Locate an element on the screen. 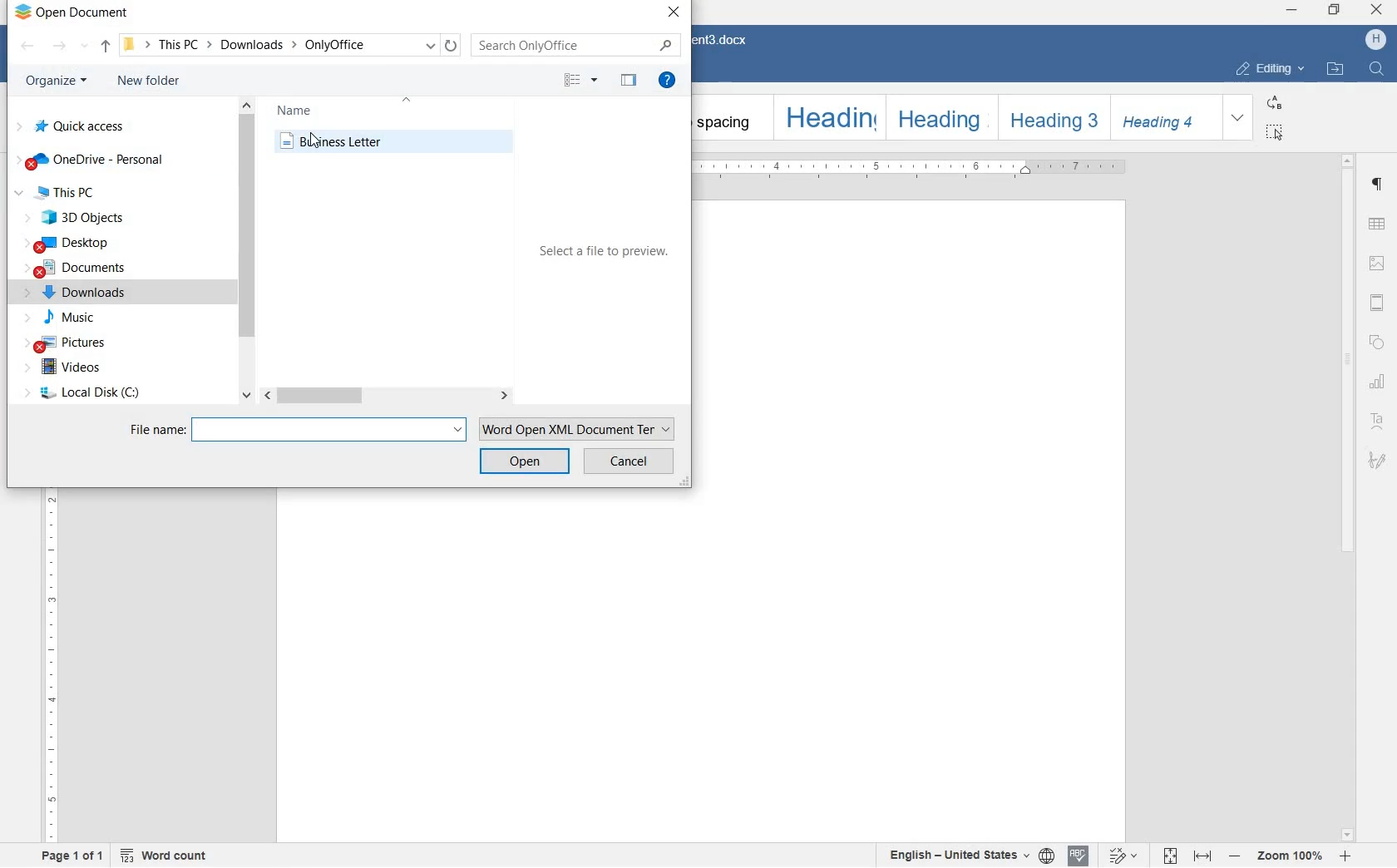 This screenshot has height=868, width=1397. organize is located at coordinates (54, 81).